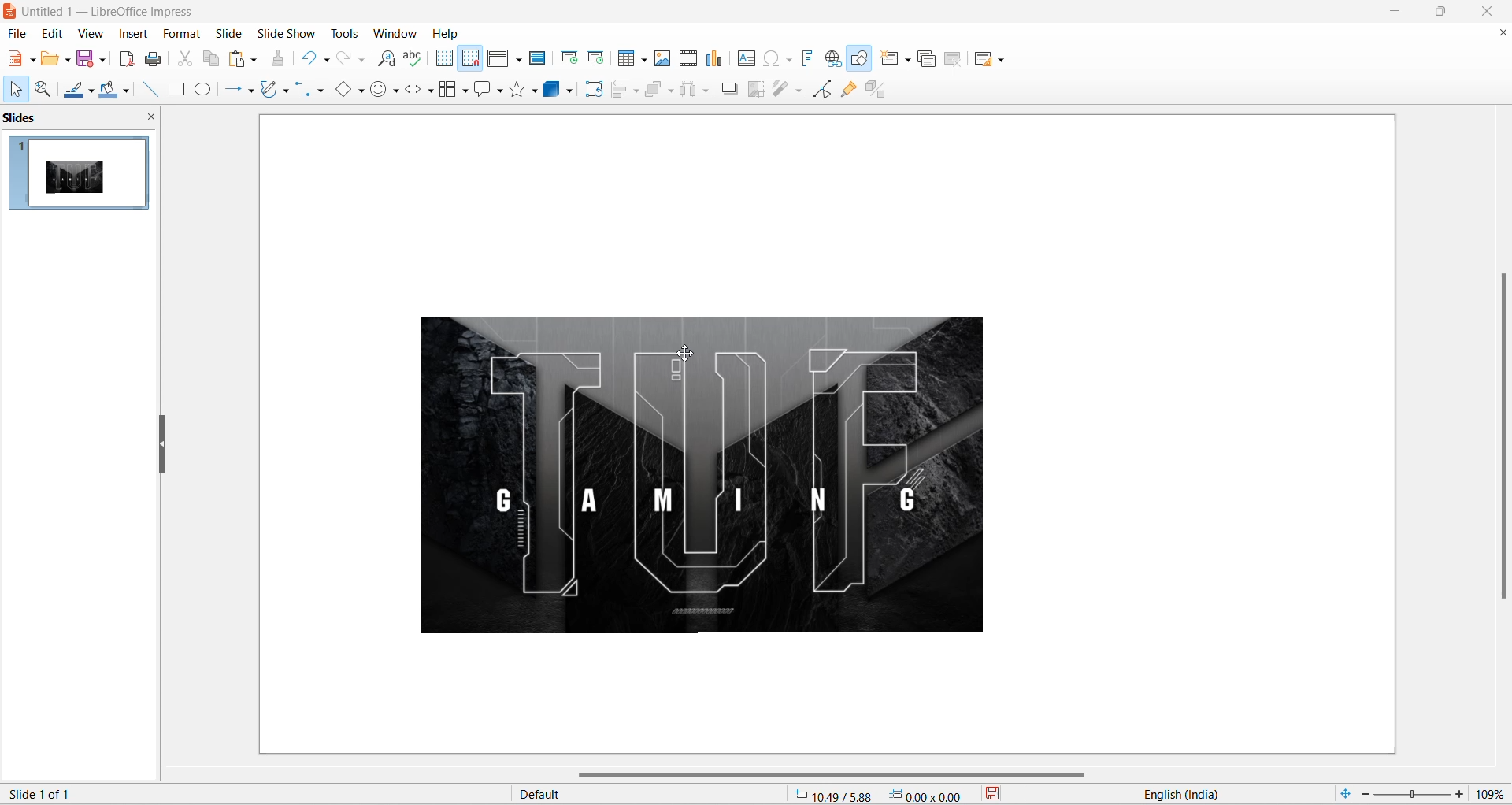  What do you see at coordinates (663, 58) in the screenshot?
I see `insert images` at bounding box center [663, 58].